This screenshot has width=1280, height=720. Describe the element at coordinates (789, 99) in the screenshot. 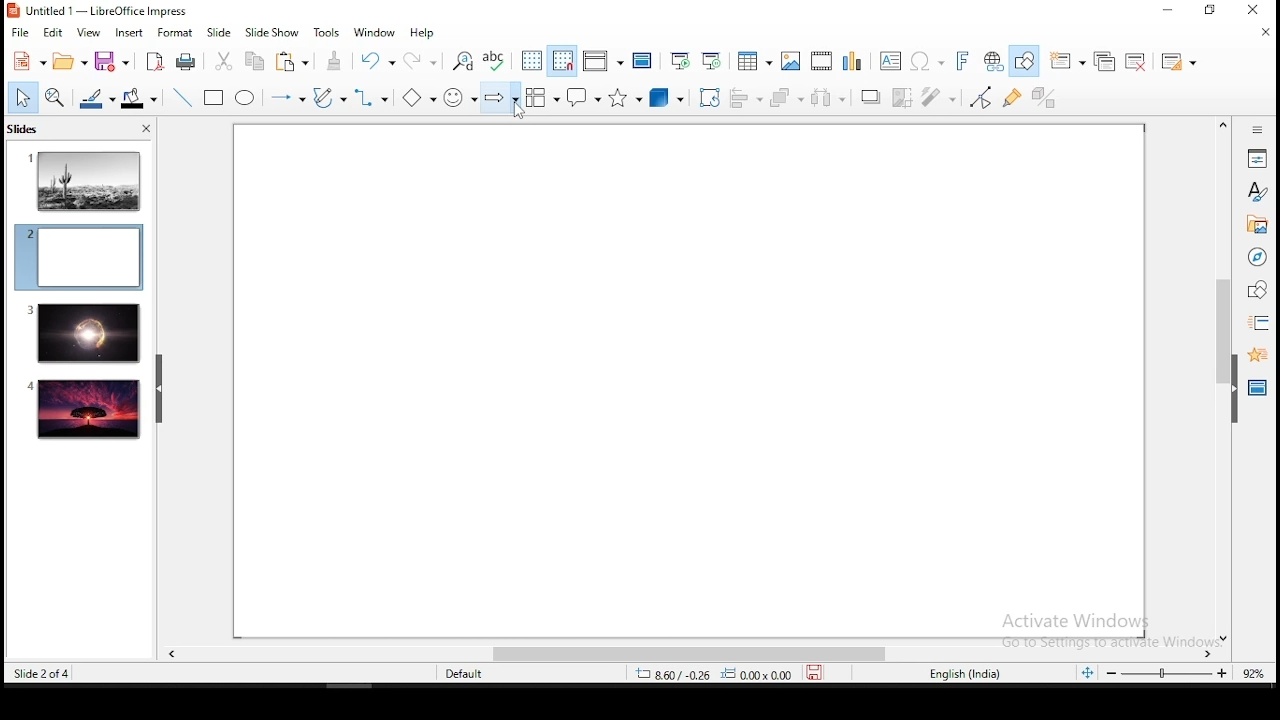

I see `arrange` at that location.